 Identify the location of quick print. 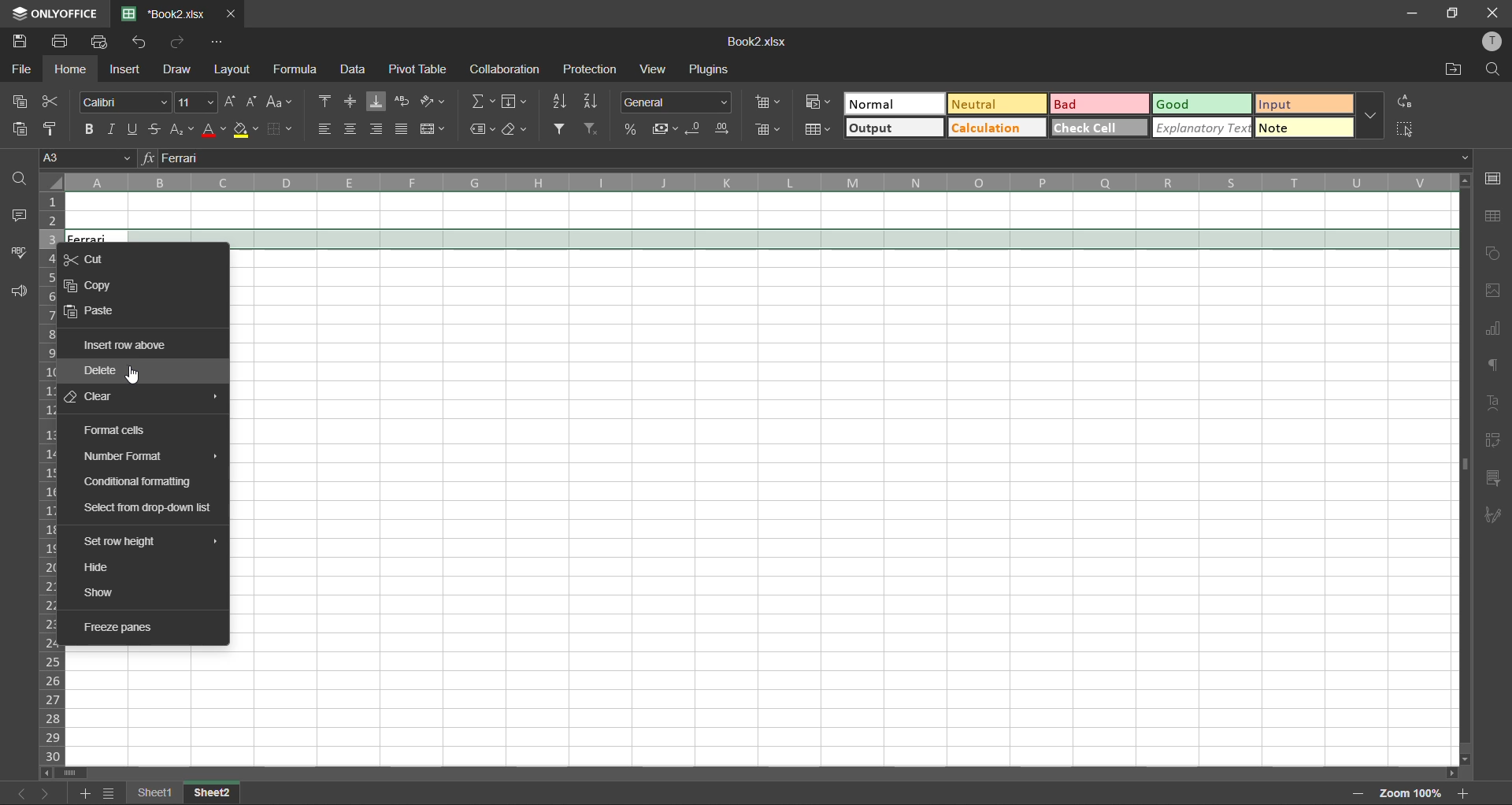
(101, 42).